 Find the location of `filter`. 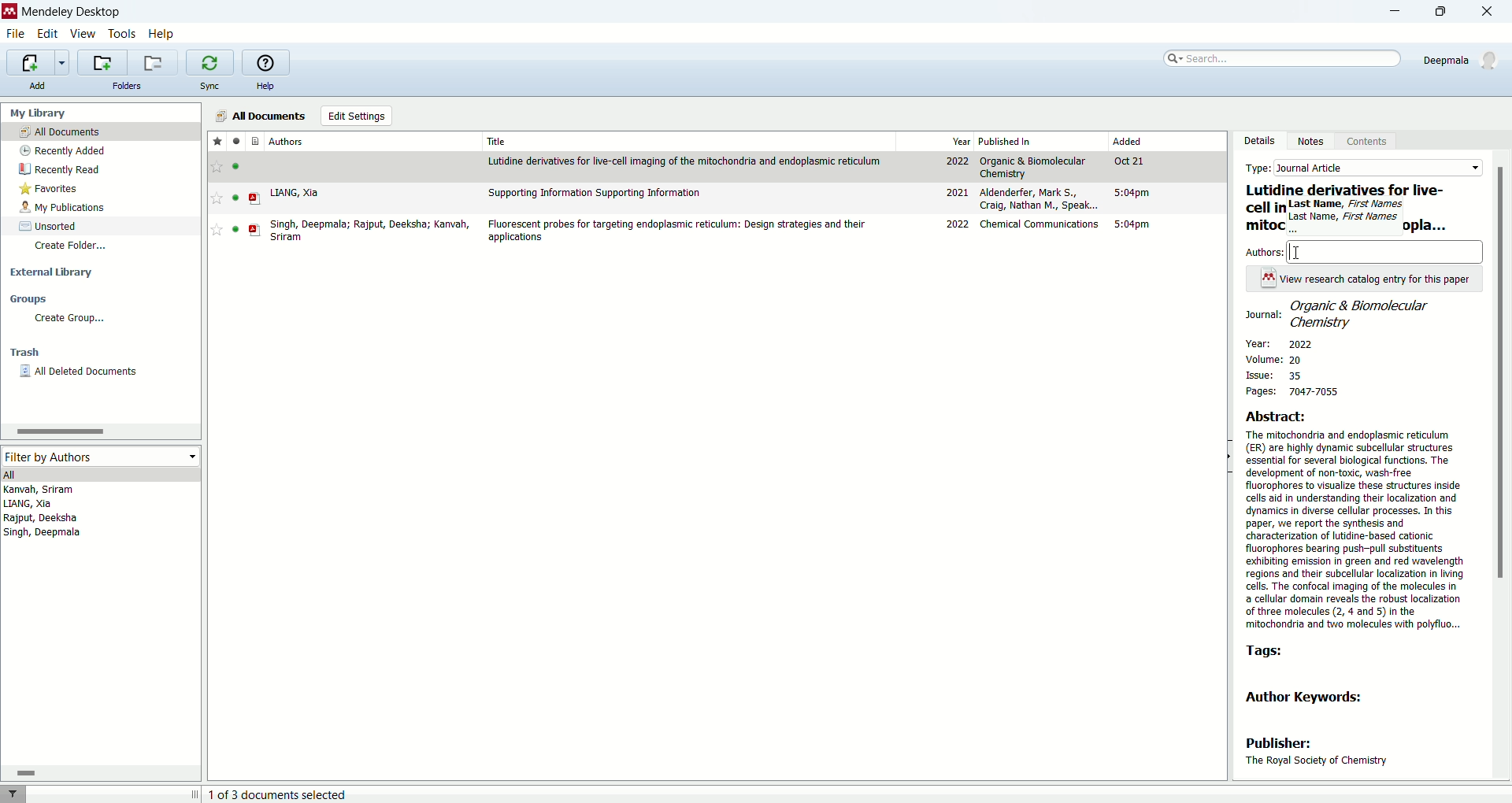

filter is located at coordinates (13, 794).